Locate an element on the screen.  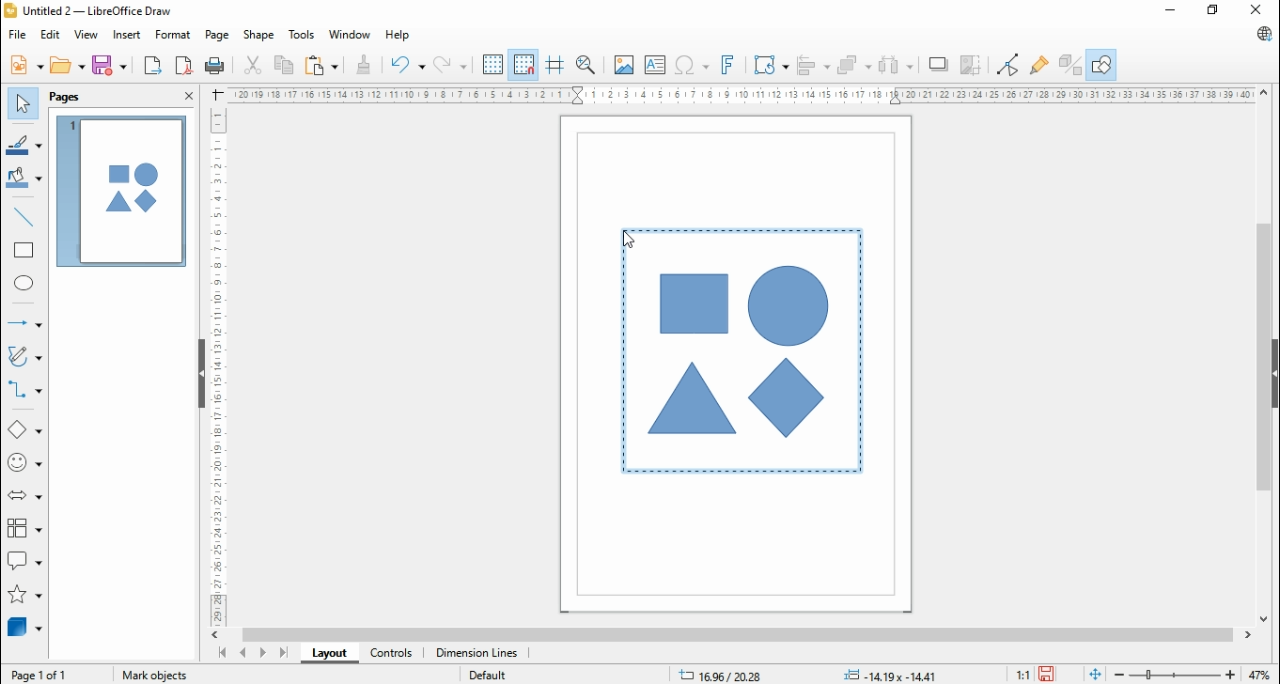
shape 1 is located at coordinates (693, 304).